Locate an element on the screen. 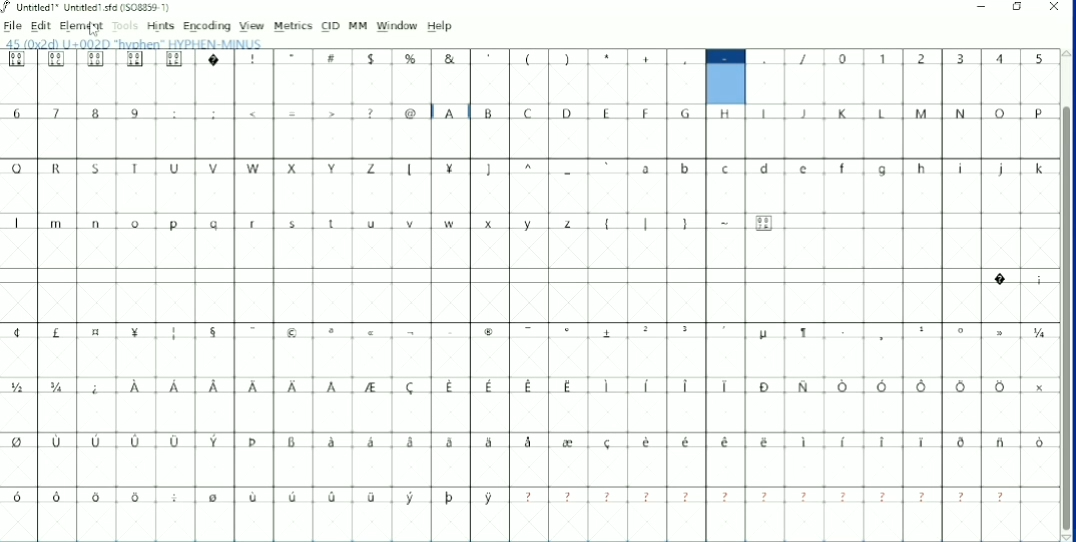 This screenshot has width=1076, height=542. Small letters is located at coordinates (843, 169).